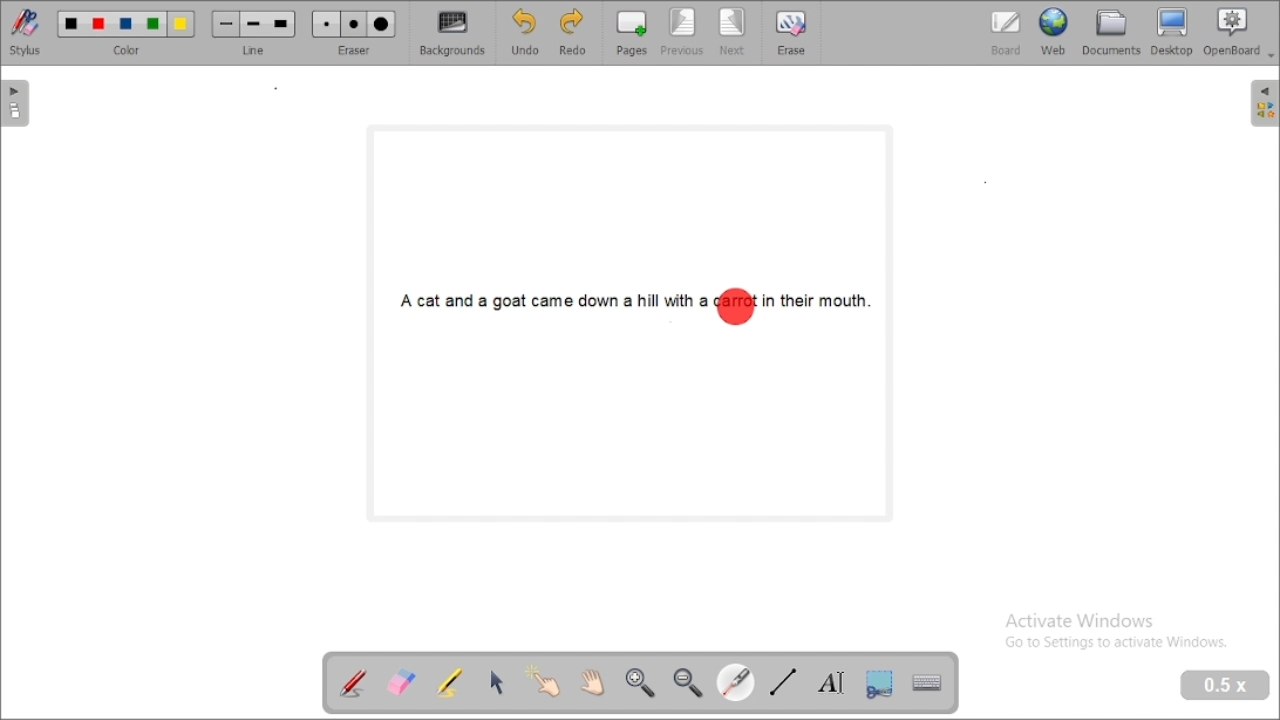 The image size is (1280, 720). Describe the element at coordinates (784, 681) in the screenshot. I see `draw lines` at that location.